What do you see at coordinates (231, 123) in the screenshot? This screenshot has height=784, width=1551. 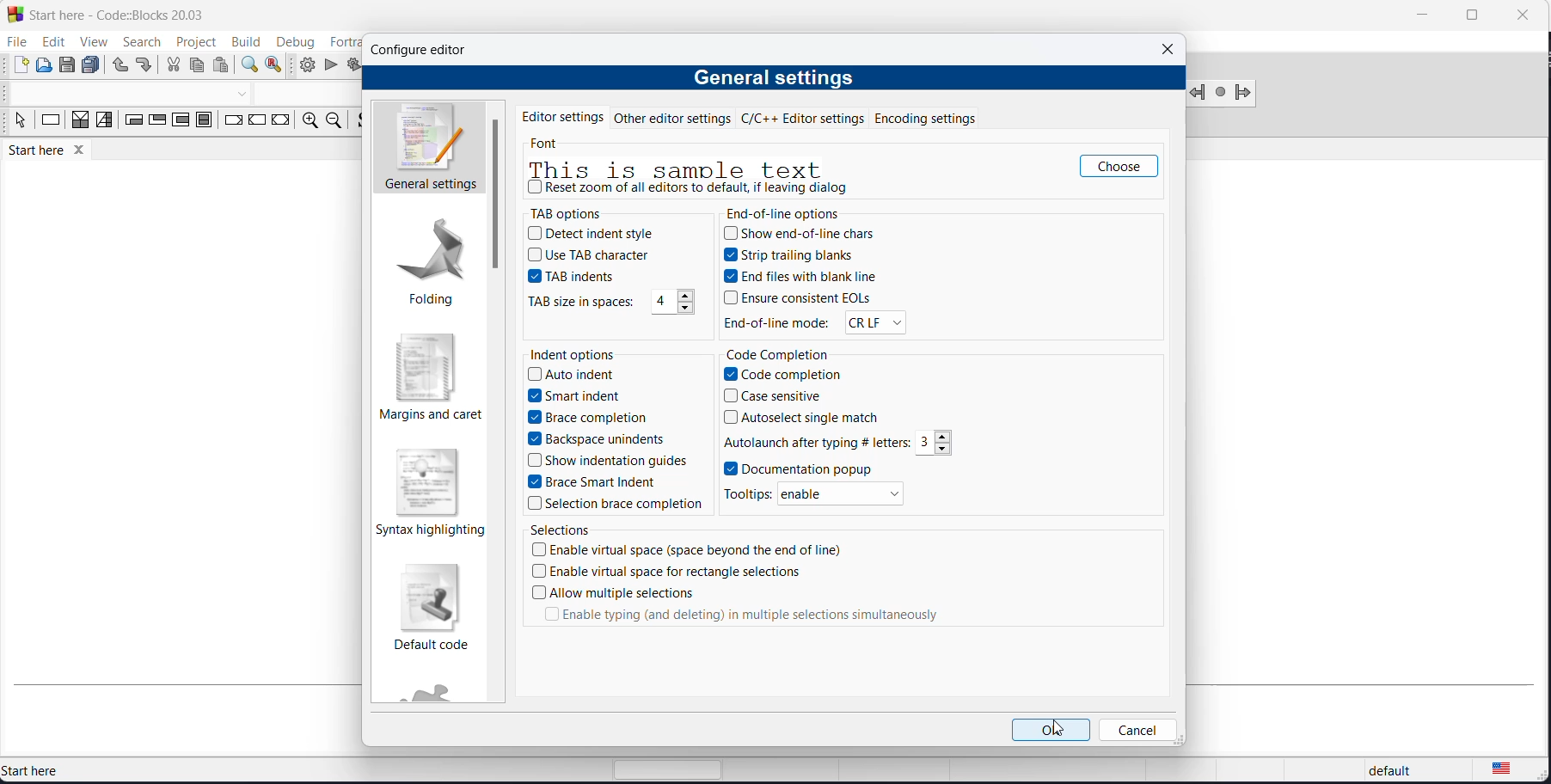 I see `break instruction` at bounding box center [231, 123].